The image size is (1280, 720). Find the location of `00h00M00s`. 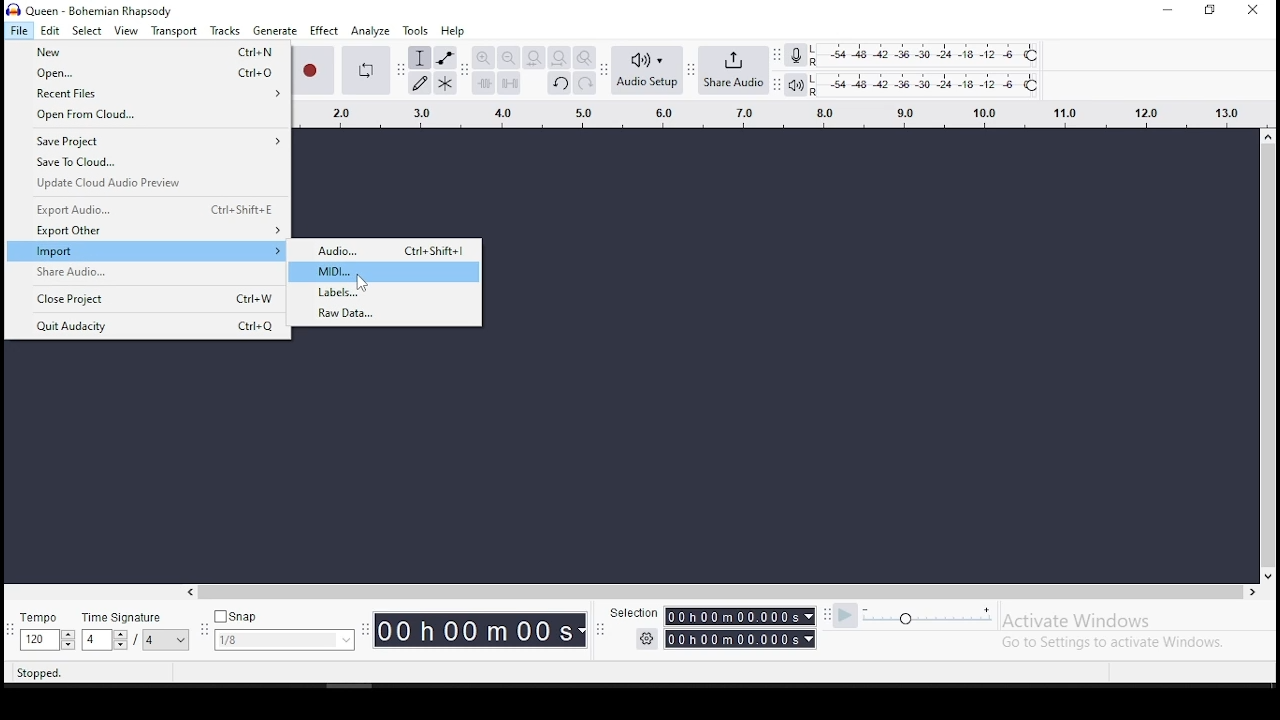

00h00M00s is located at coordinates (480, 630).